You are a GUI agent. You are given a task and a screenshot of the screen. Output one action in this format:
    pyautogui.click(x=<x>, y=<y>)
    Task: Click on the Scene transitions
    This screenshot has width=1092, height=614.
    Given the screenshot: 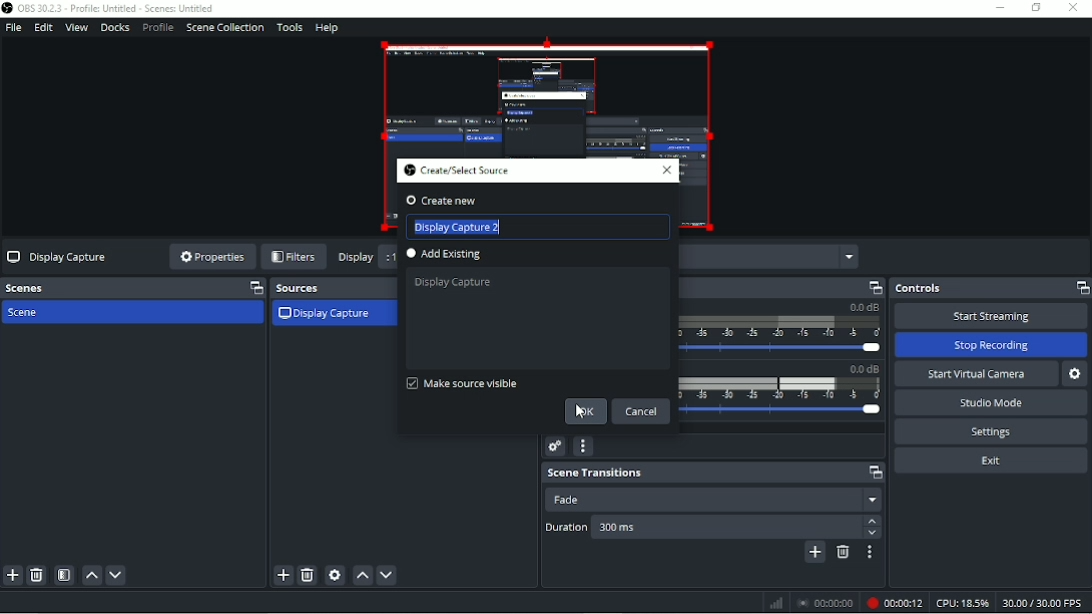 What is the action you would take?
    pyautogui.click(x=715, y=473)
    